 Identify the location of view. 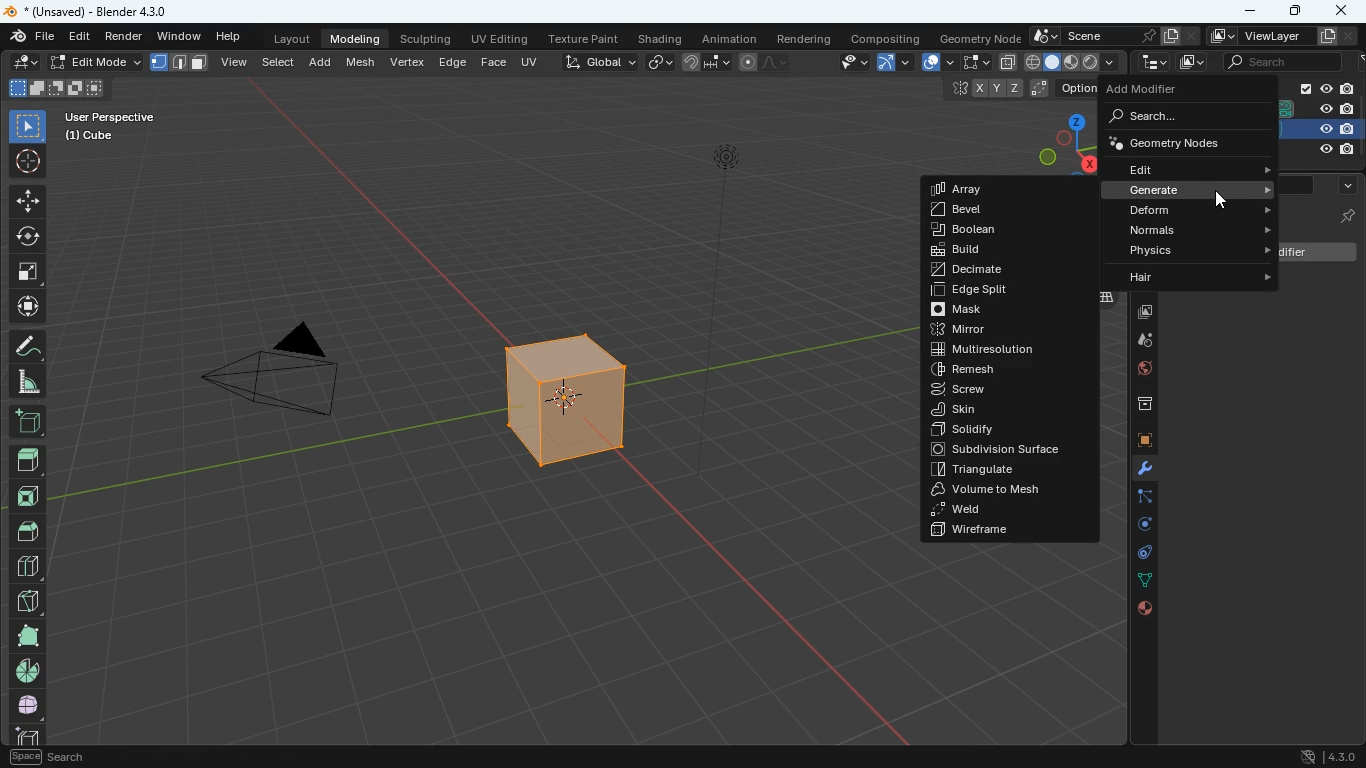
(848, 63).